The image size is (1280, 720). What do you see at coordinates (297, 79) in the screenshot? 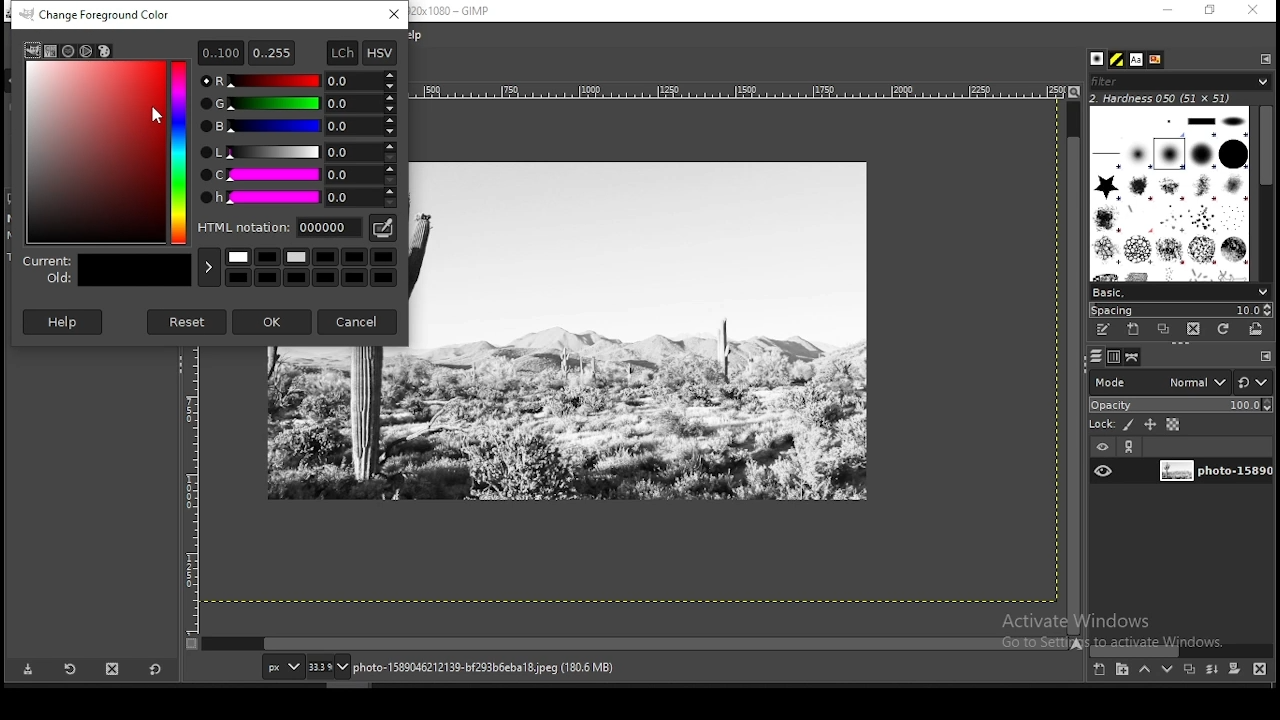
I see `red` at bounding box center [297, 79].